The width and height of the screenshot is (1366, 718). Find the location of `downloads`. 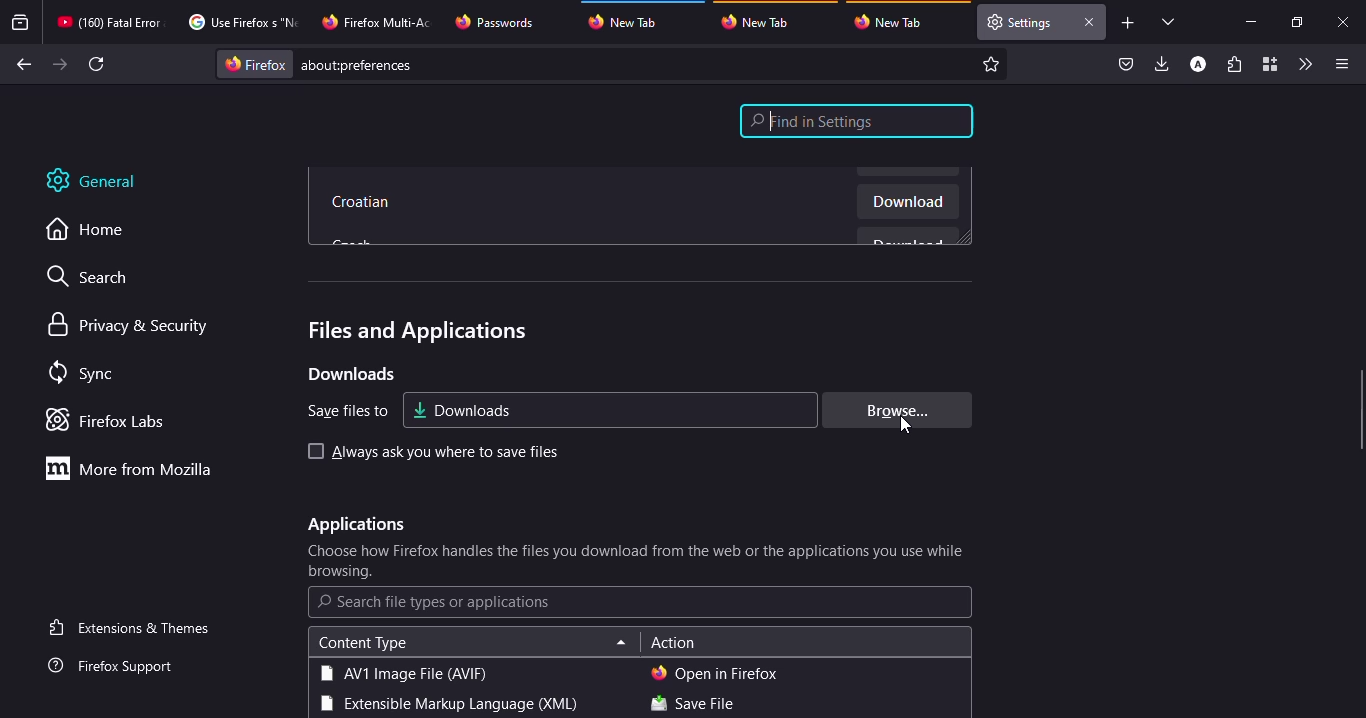

downloads is located at coordinates (1163, 63).